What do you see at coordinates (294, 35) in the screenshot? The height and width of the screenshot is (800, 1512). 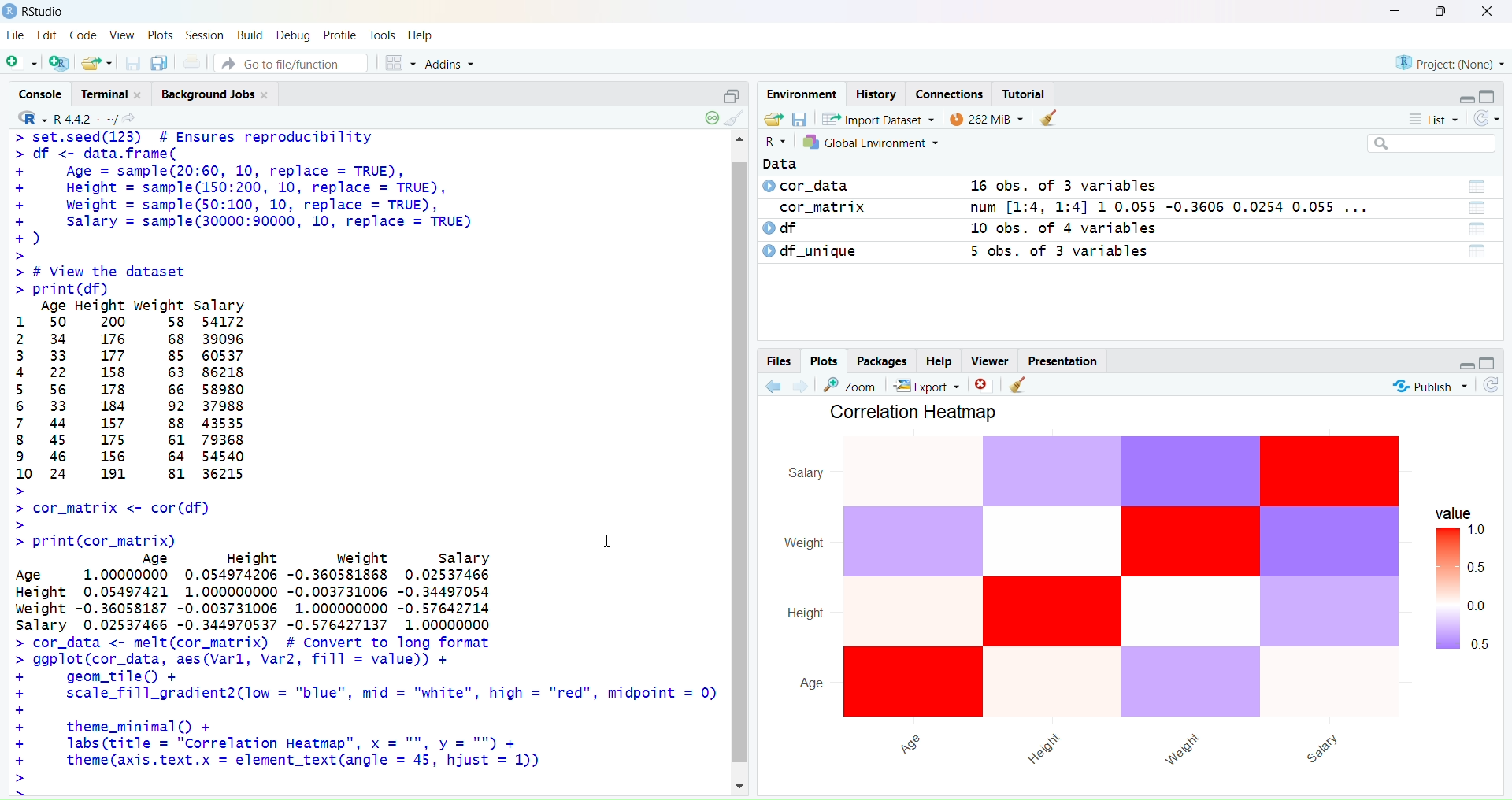 I see `Debug` at bounding box center [294, 35].